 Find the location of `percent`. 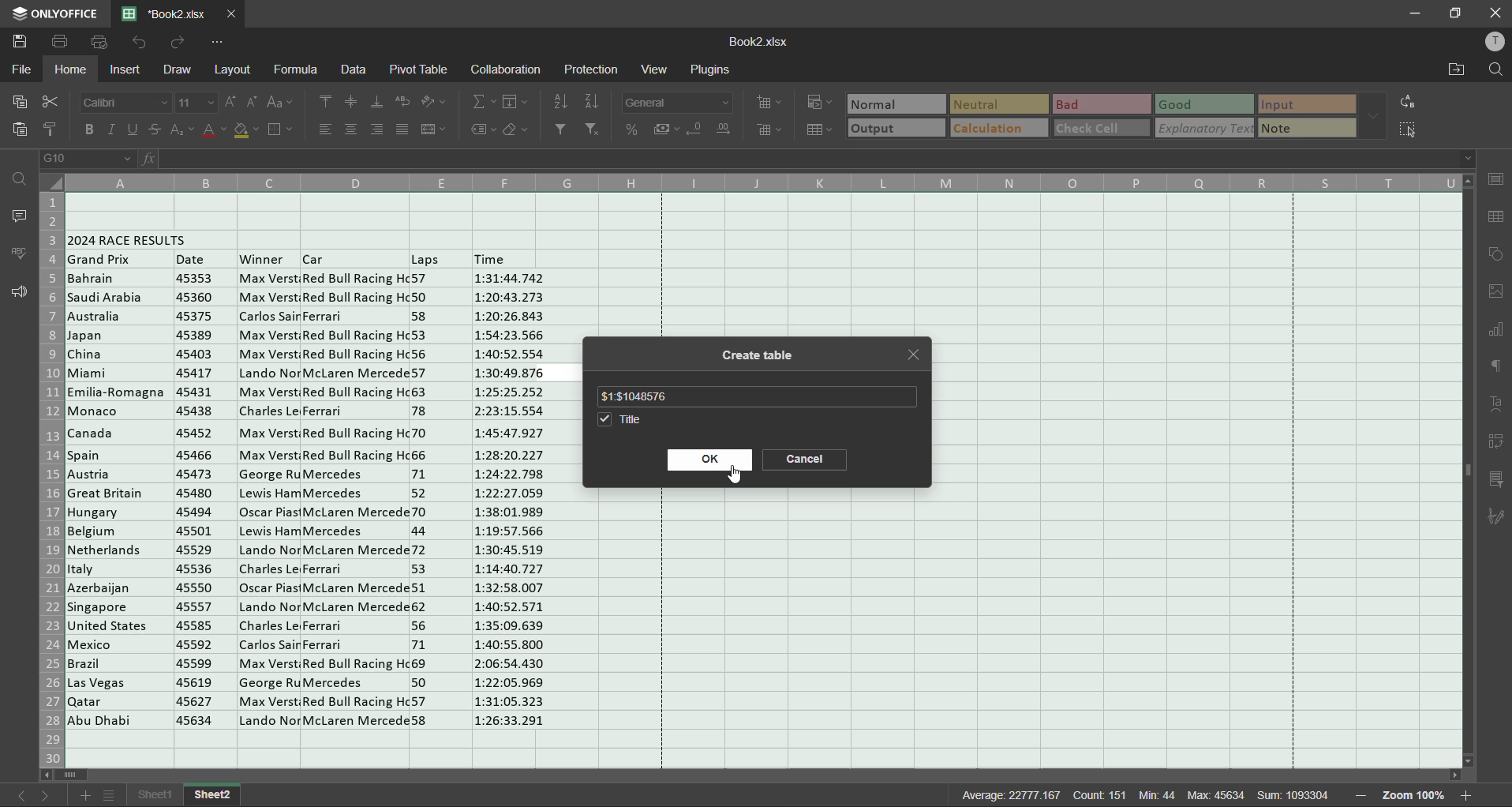

percent is located at coordinates (634, 129).